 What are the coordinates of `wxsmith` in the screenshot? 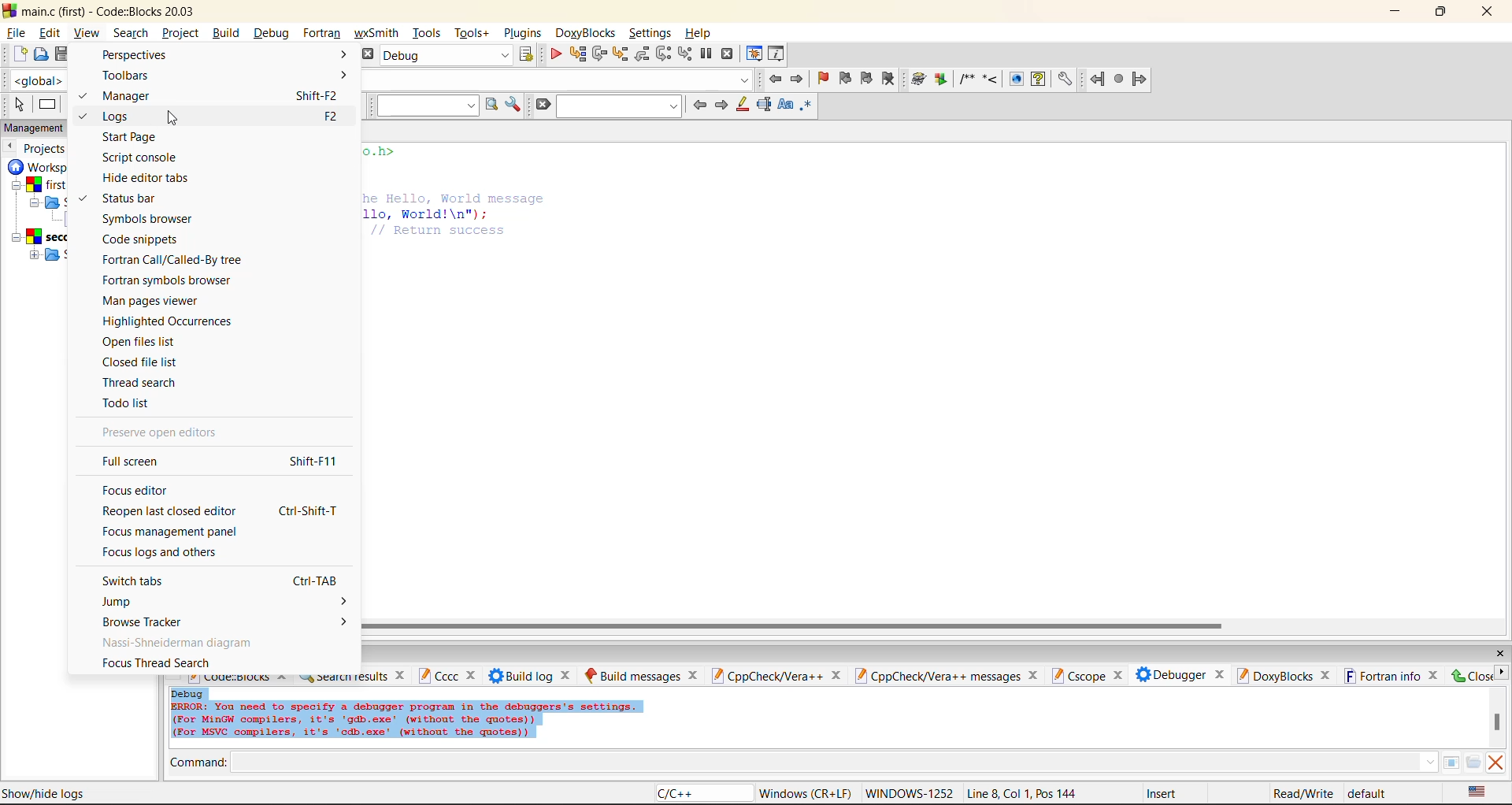 It's located at (376, 33).